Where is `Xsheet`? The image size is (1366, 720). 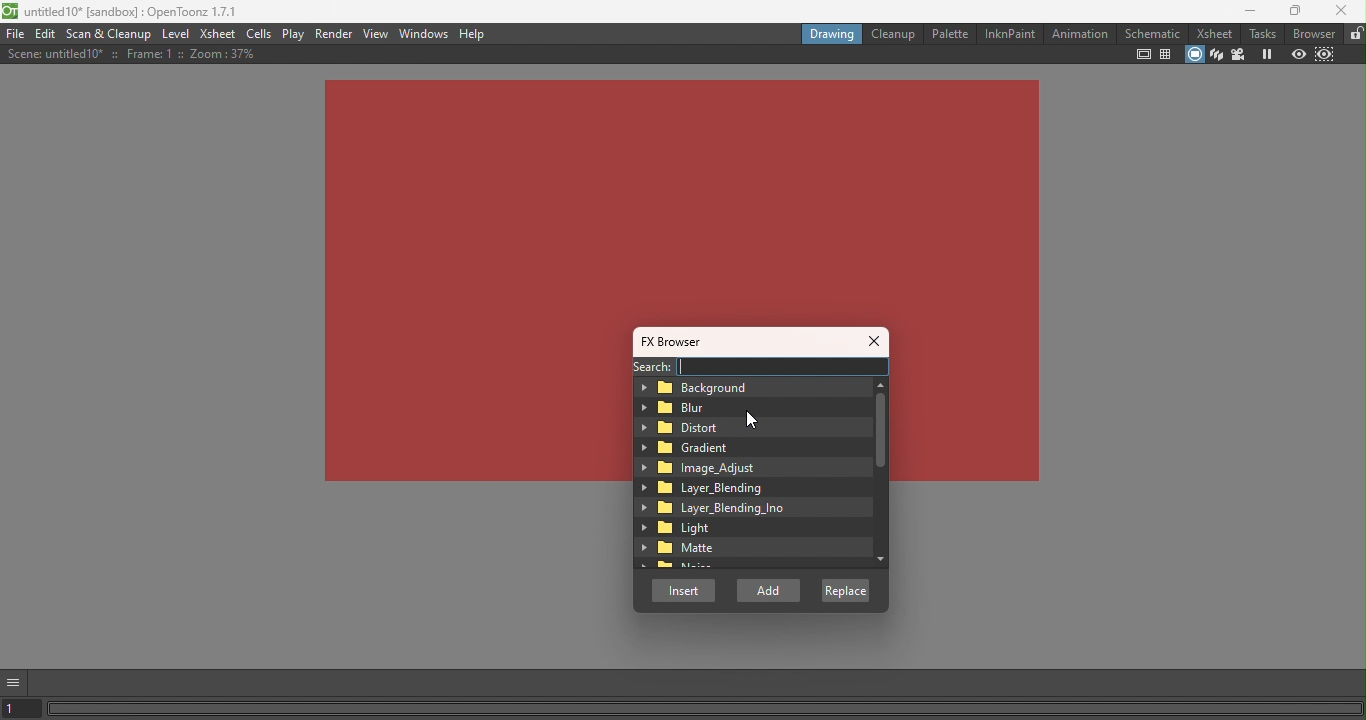 Xsheet is located at coordinates (219, 33).